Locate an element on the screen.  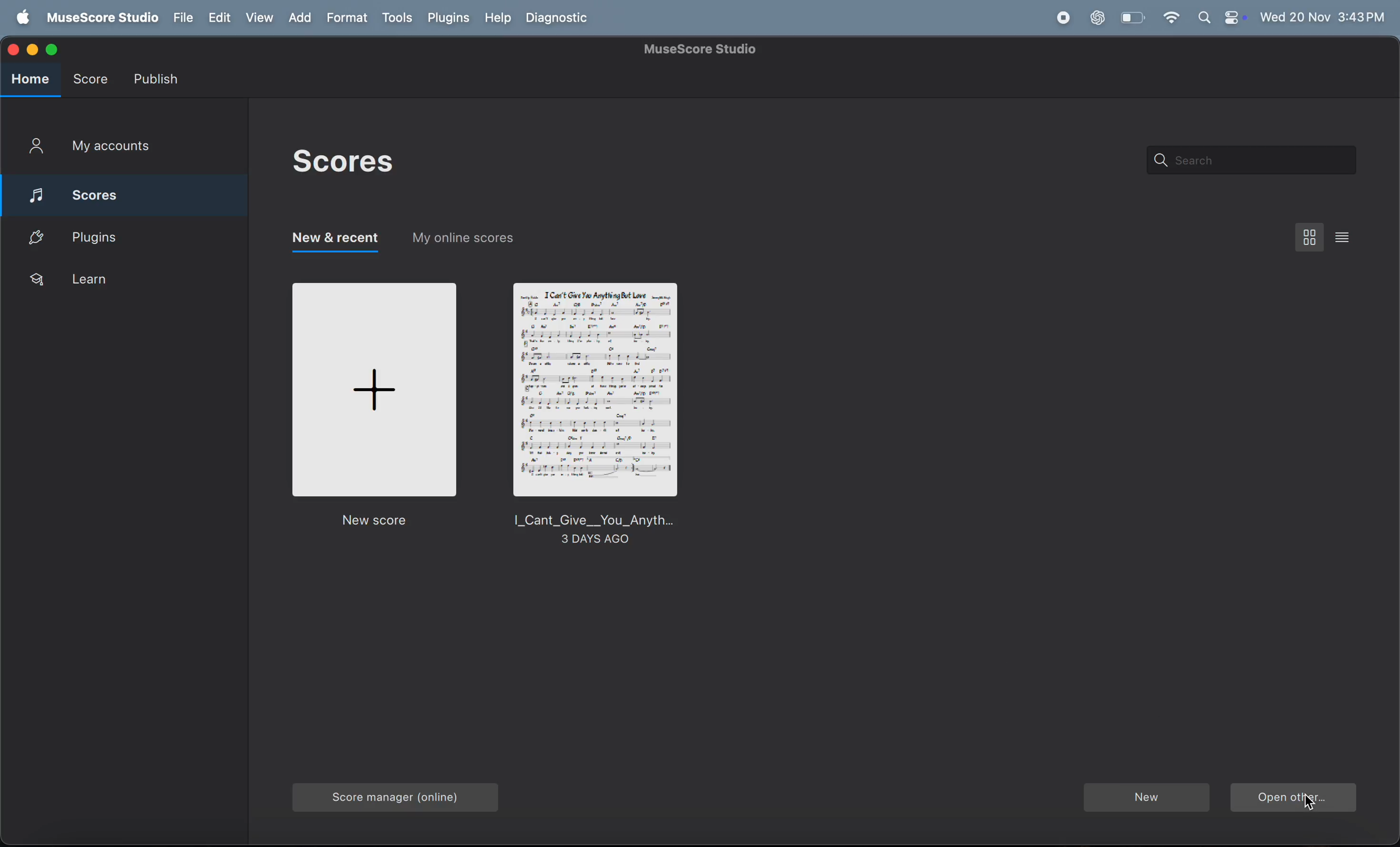
open another is located at coordinates (1294, 798).